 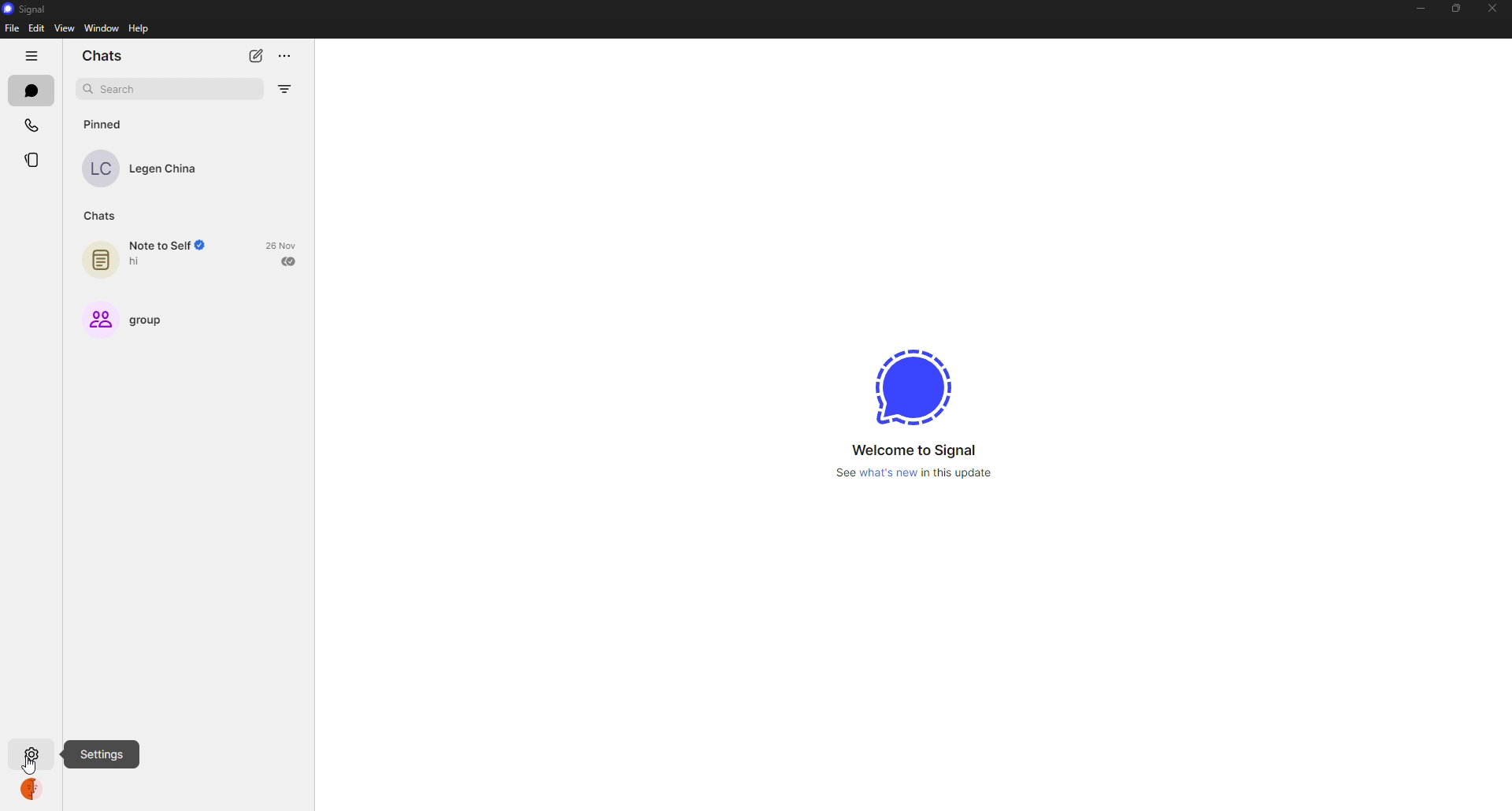 What do you see at coordinates (121, 89) in the screenshot?
I see `search` at bounding box center [121, 89].